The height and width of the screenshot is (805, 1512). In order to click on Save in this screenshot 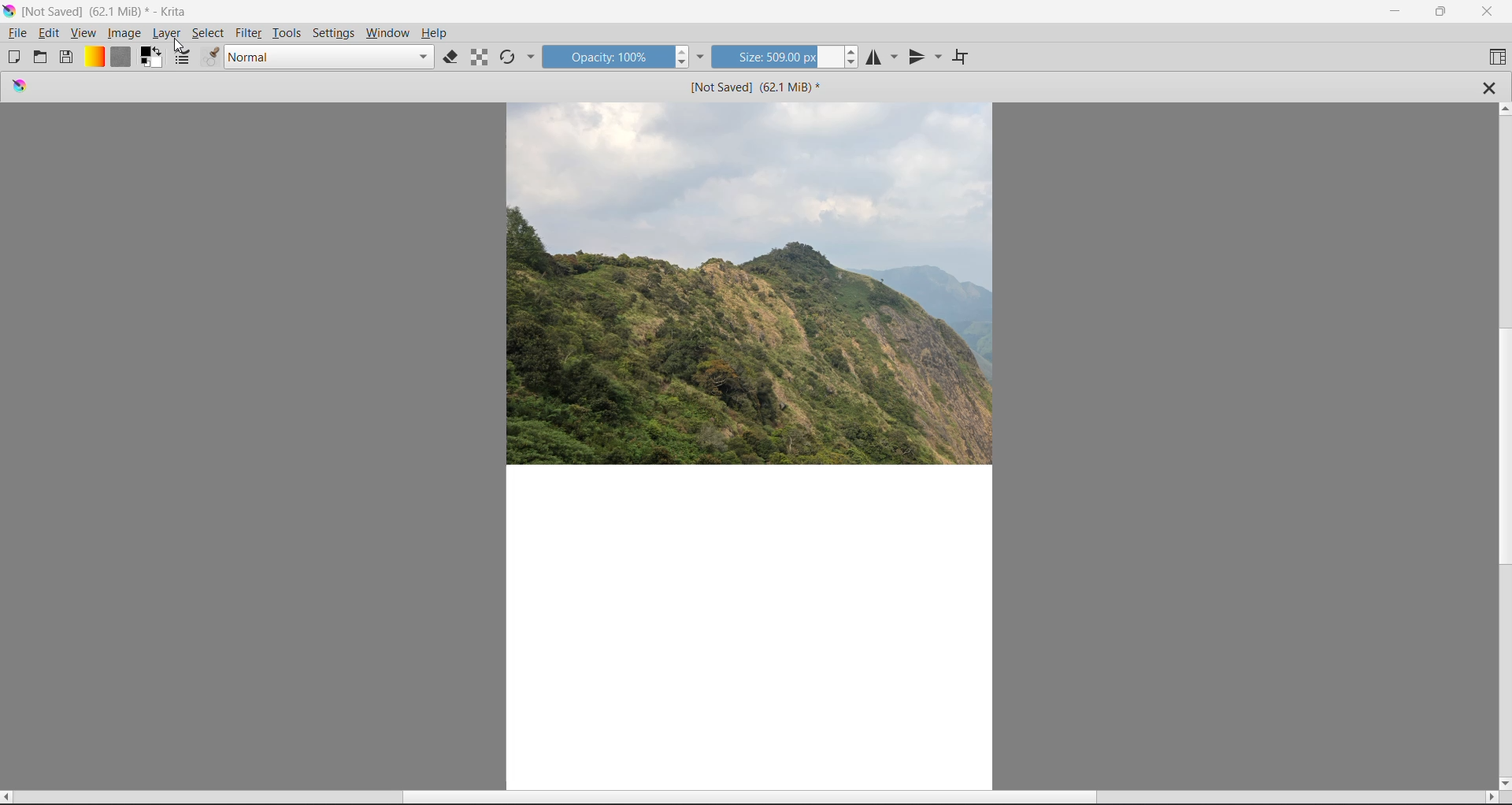, I will do `click(68, 57)`.